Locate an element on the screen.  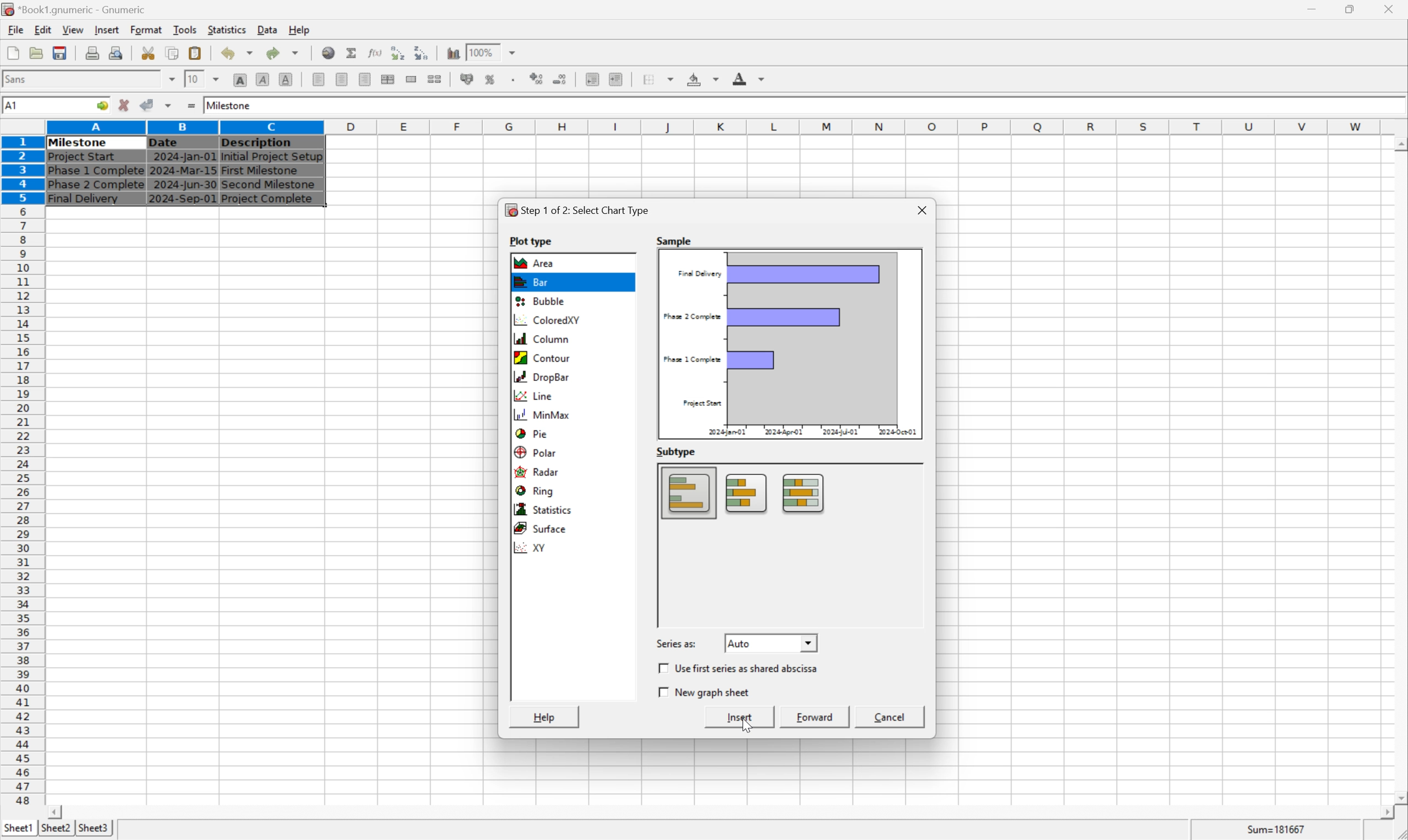
go to is located at coordinates (100, 106).